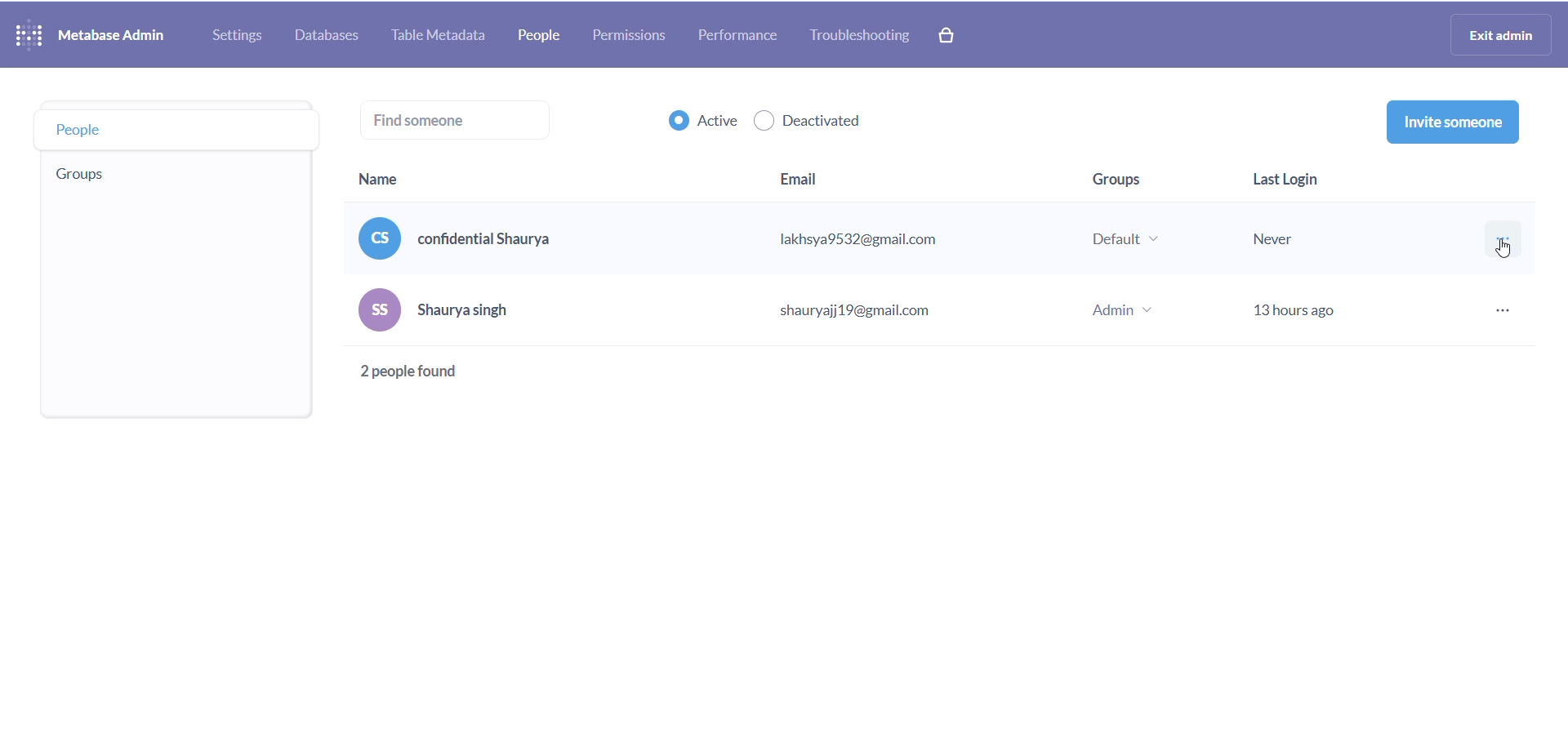 The width and height of the screenshot is (1568, 743). What do you see at coordinates (239, 34) in the screenshot?
I see `settings` at bounding box center [239, 34].